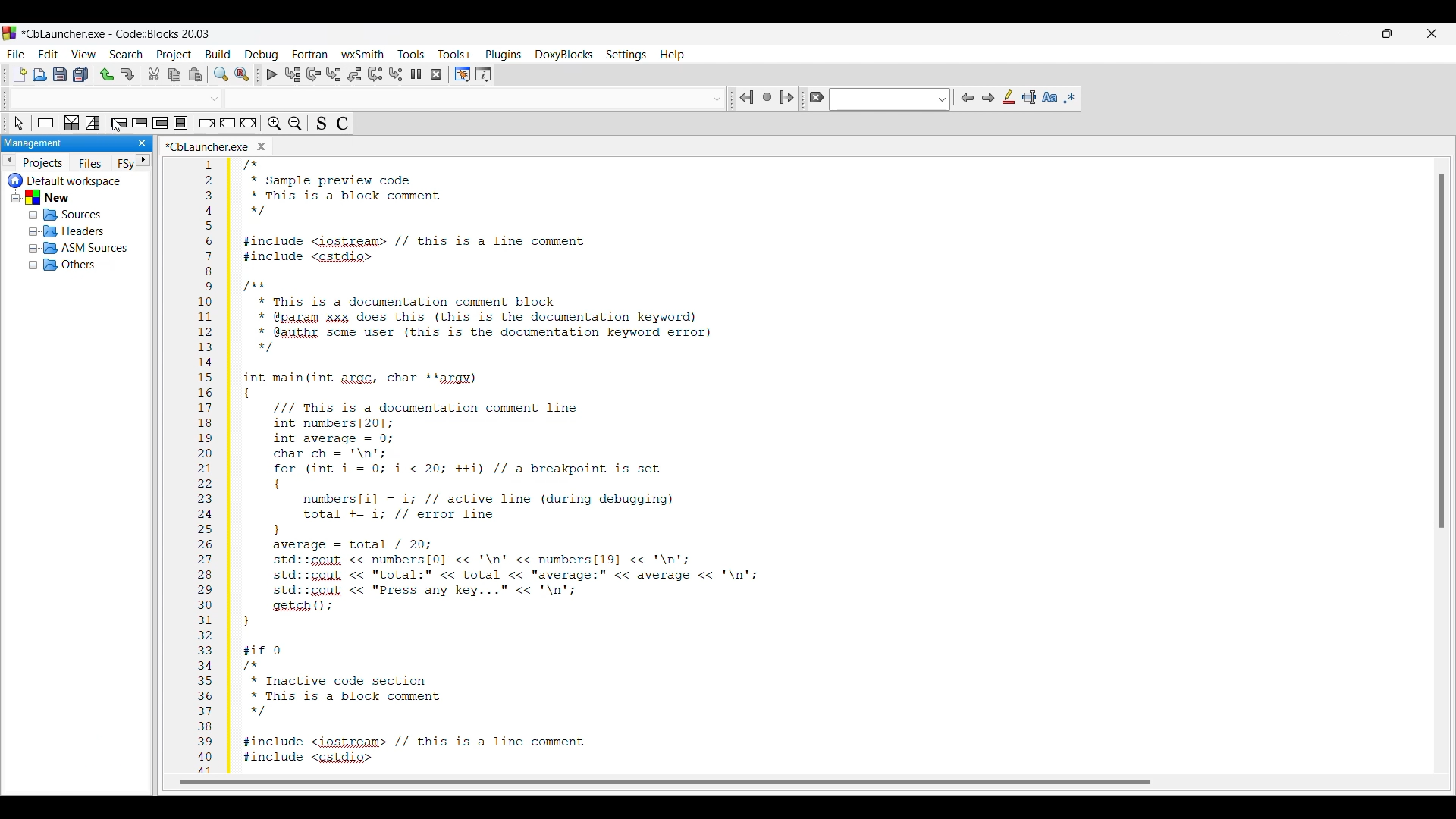 The height and width of the screenshot is (819, 1456). I want to click on calculate , so click(255, 146).